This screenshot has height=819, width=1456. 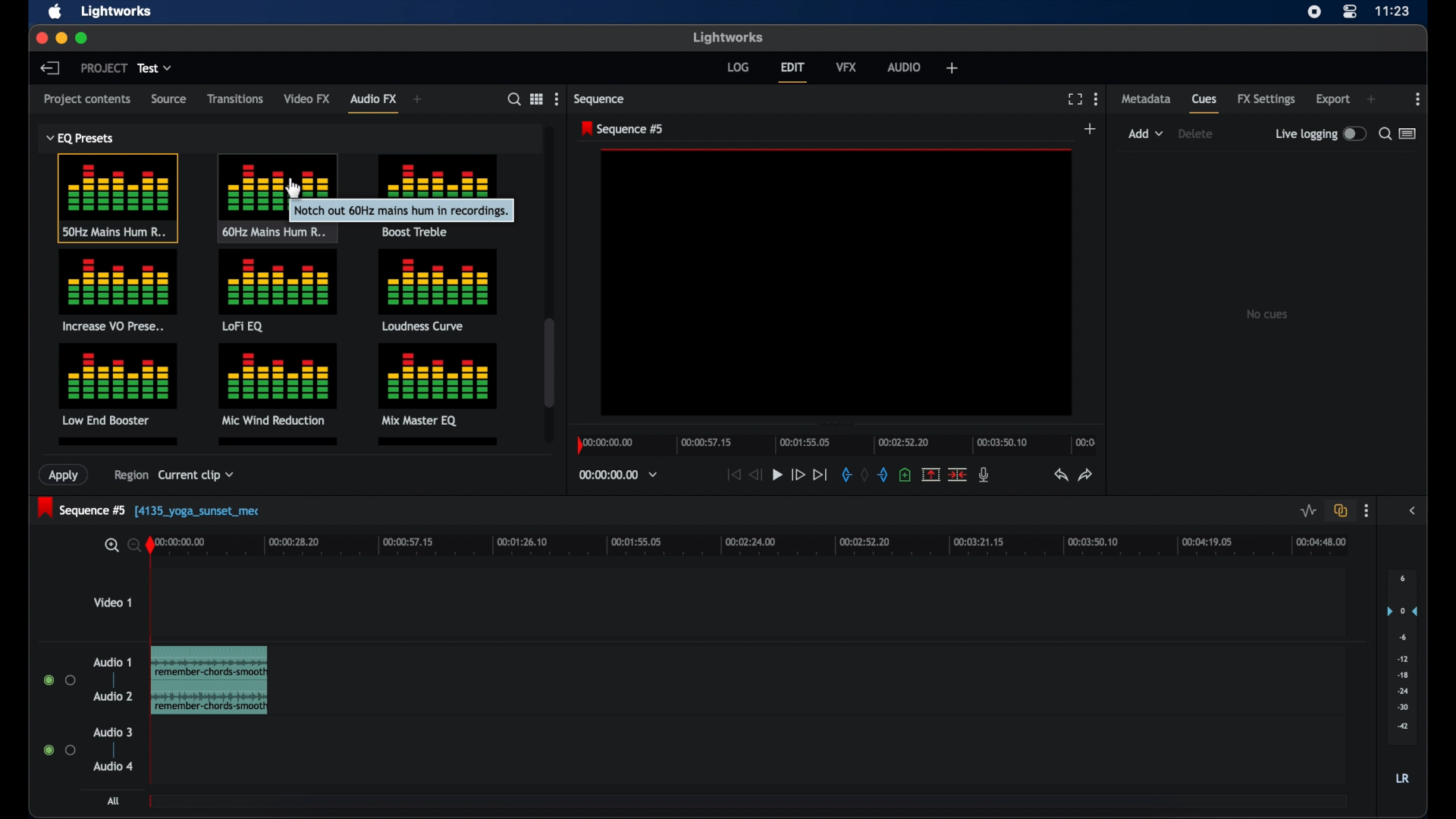 What do you see at coordinates (1205, 103) in the screenshot?
I see `cues` at bounding box center [1205, 103].